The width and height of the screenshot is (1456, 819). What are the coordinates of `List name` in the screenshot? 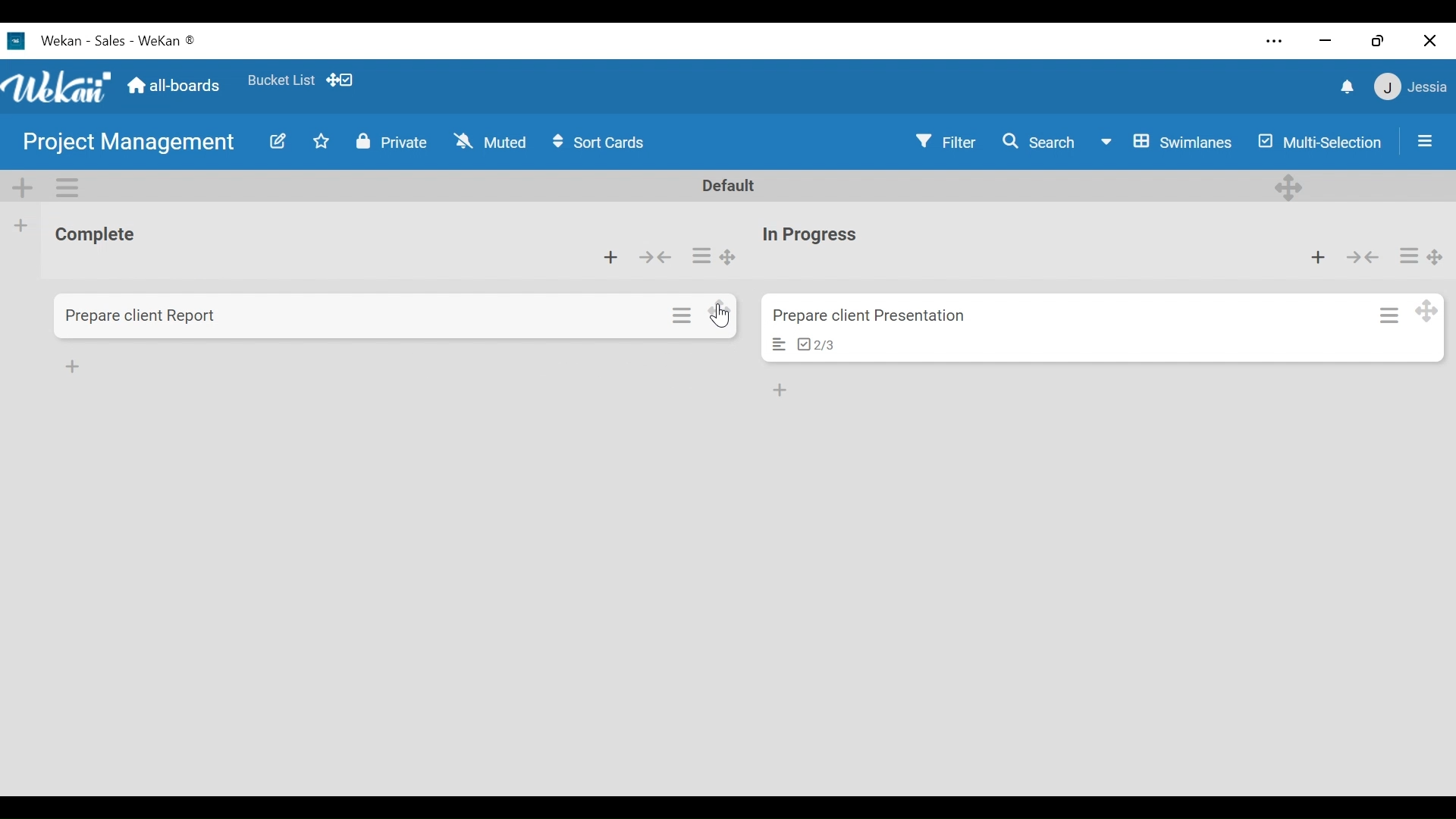 It's located at (811, 236).